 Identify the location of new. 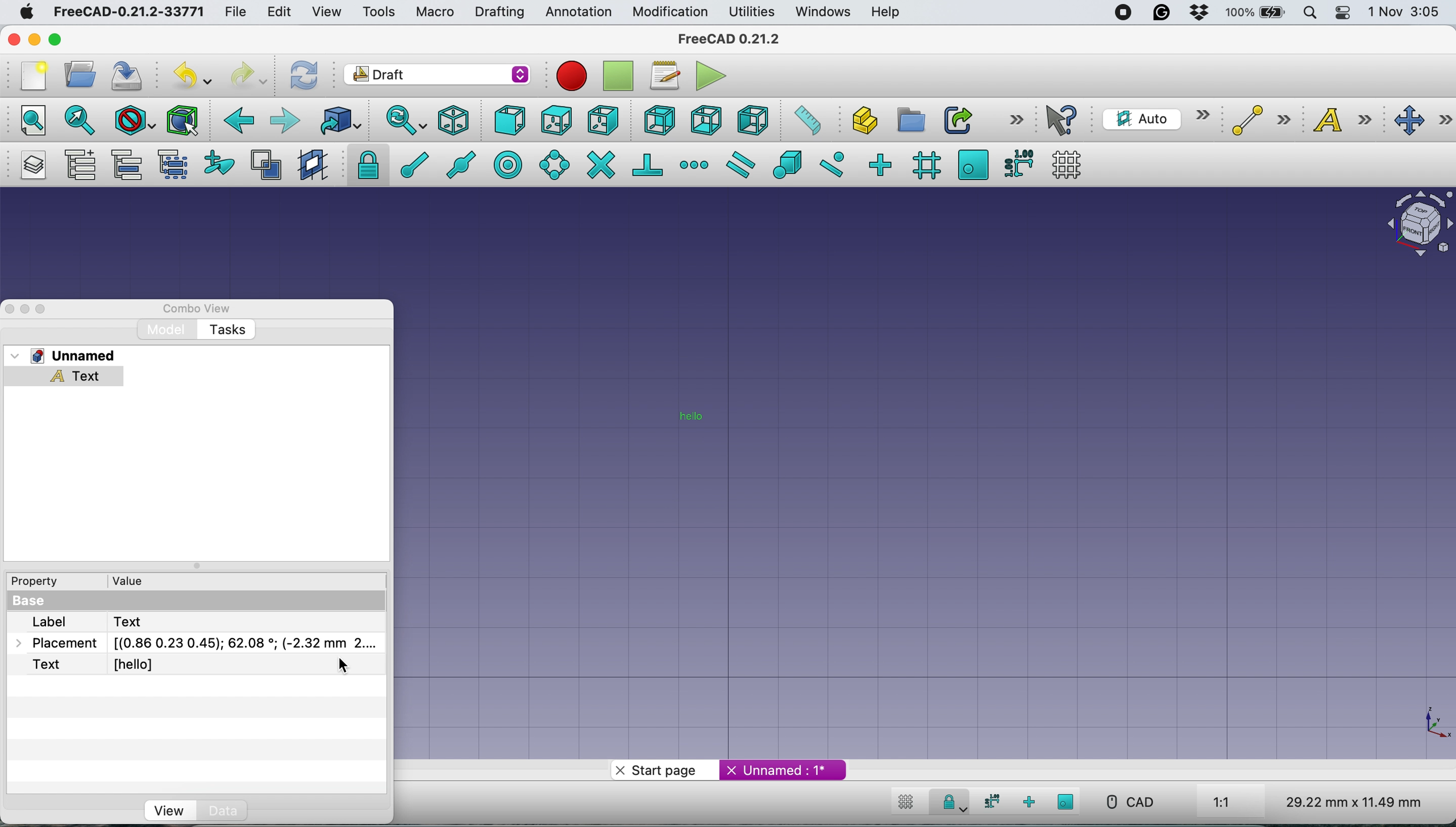
(34, 78).